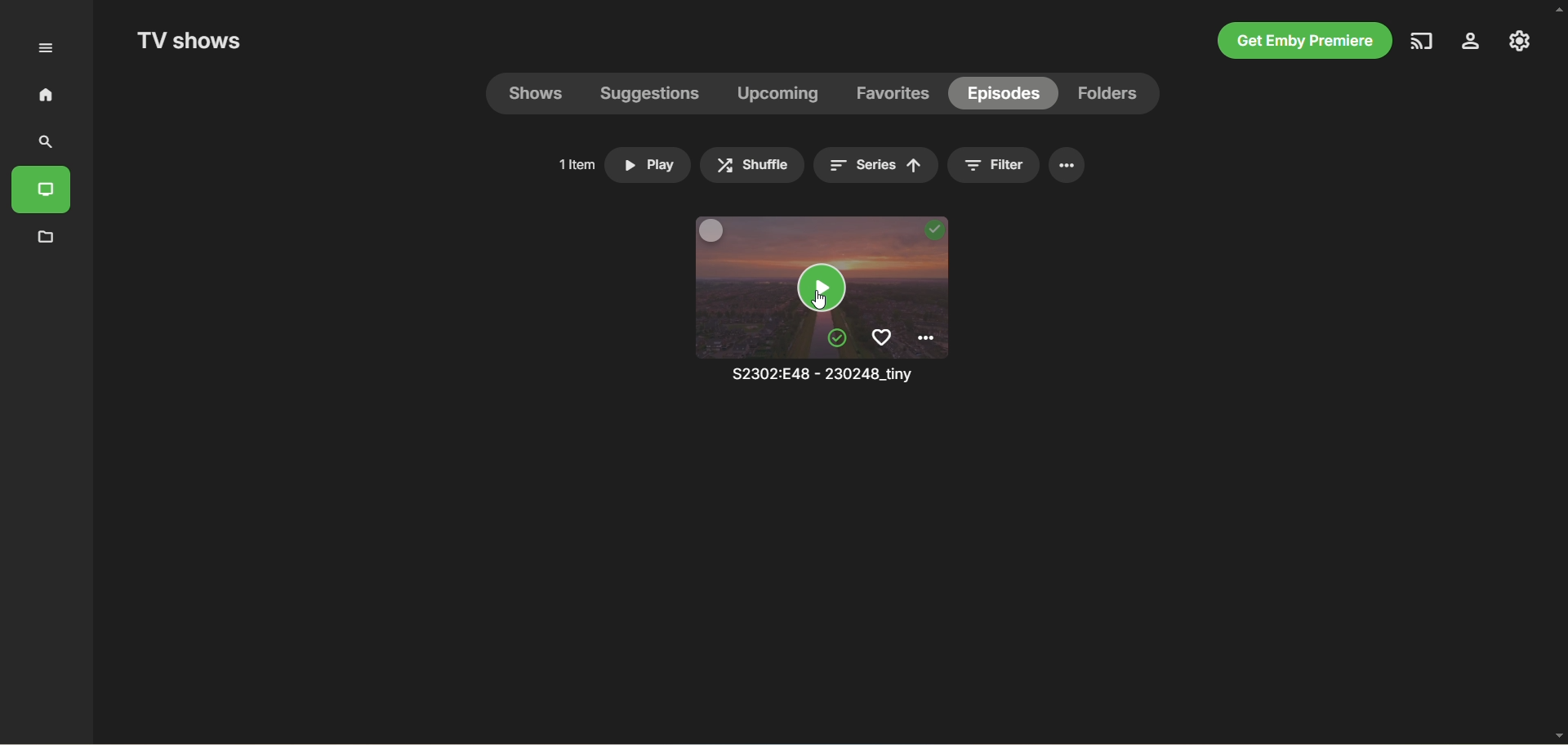 The width and height of the screenshot is (1568, 745). What do you see at coordinates (1472, 41) in the screenshot?
I see `settings` at bounding box center [1472, 41].